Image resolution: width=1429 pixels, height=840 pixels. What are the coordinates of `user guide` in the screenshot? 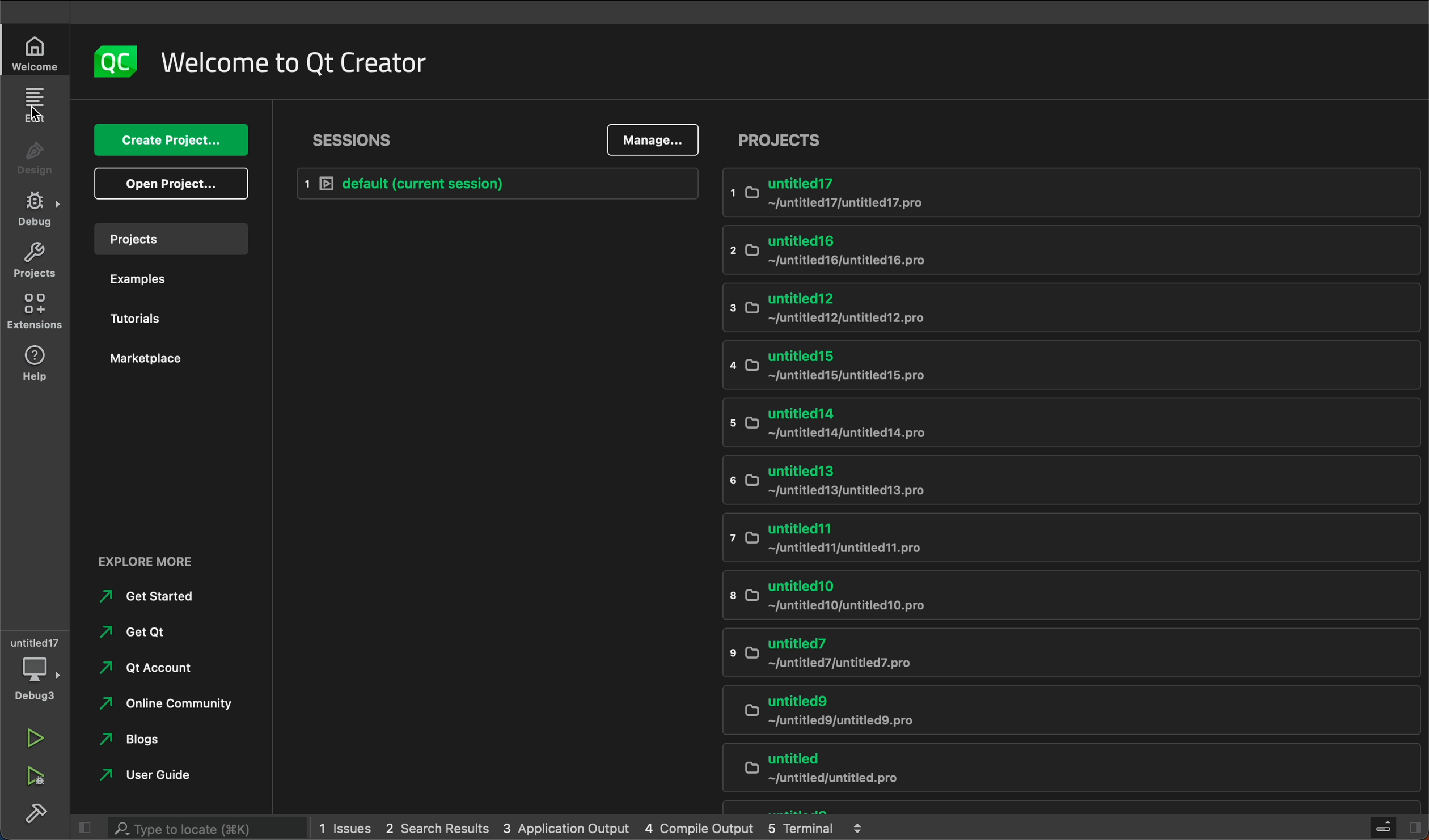 It's located at (147, 773).